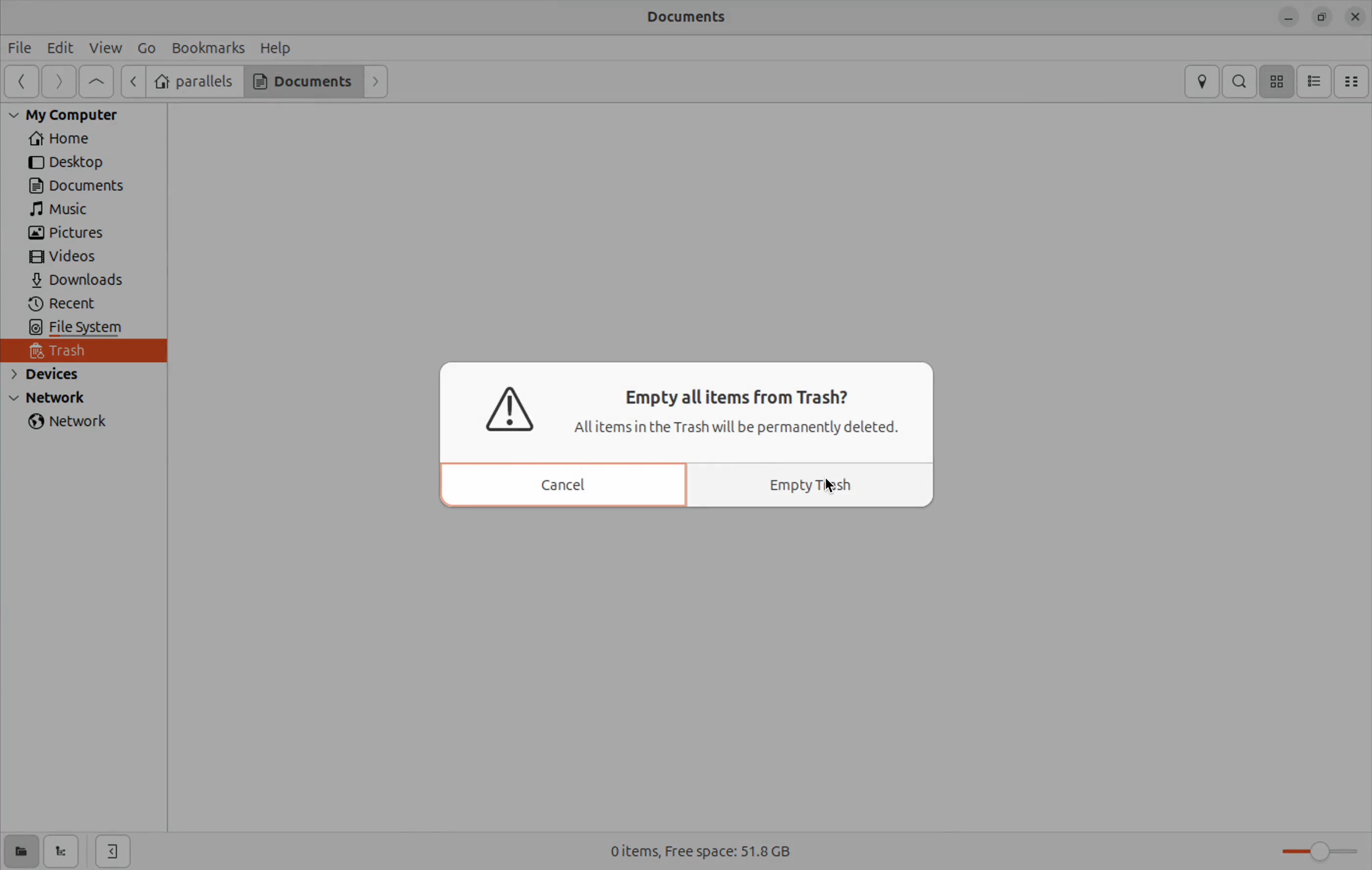 The image size is (1372, 870). What do you see at coordinates (76, 256) in the screenshot?
I see `Videos` at bounding box center [76, 256].